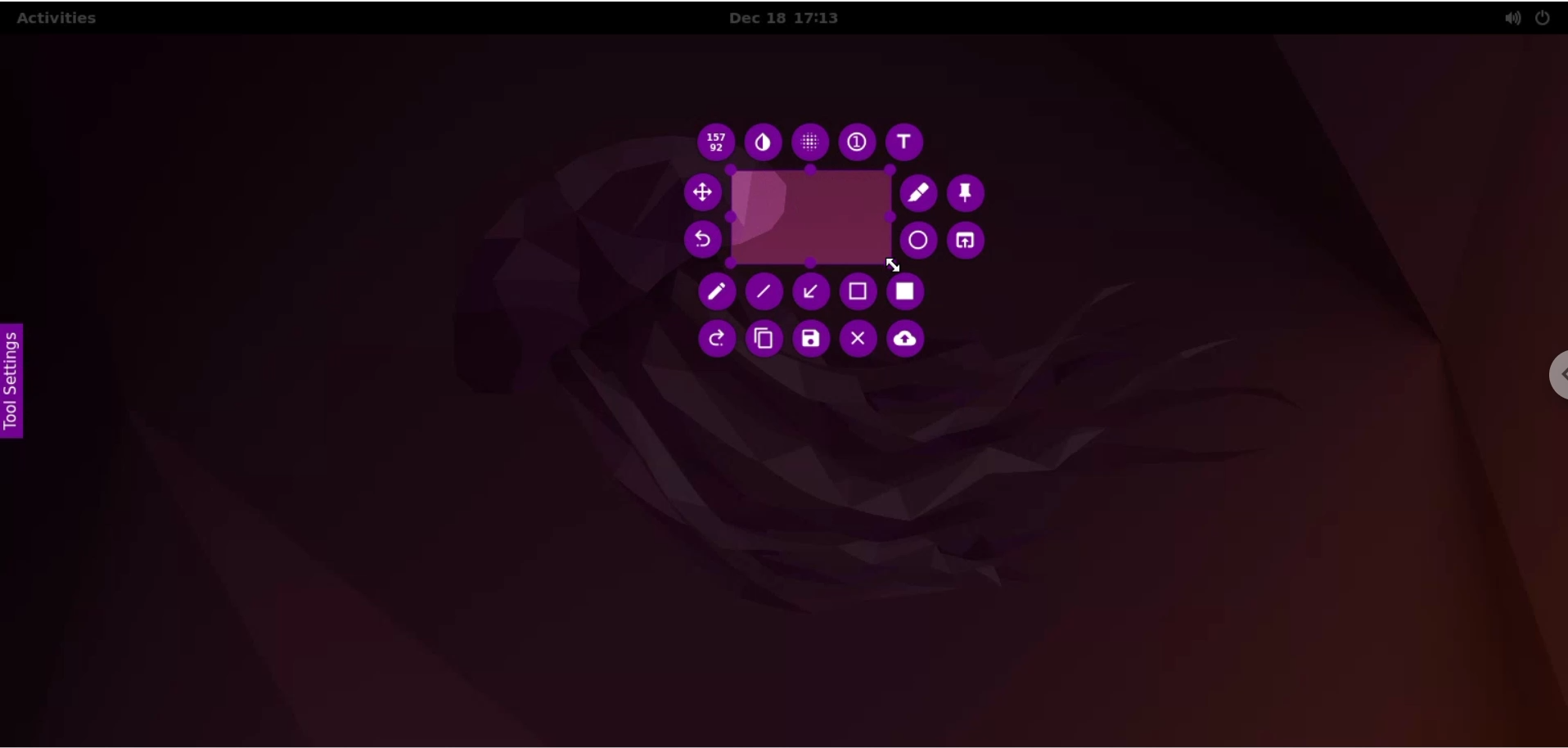 The image size is (1568, 748). Describe the element at coordinates (1552, 376) in the screenshot. I see `chrome settings` at that location.